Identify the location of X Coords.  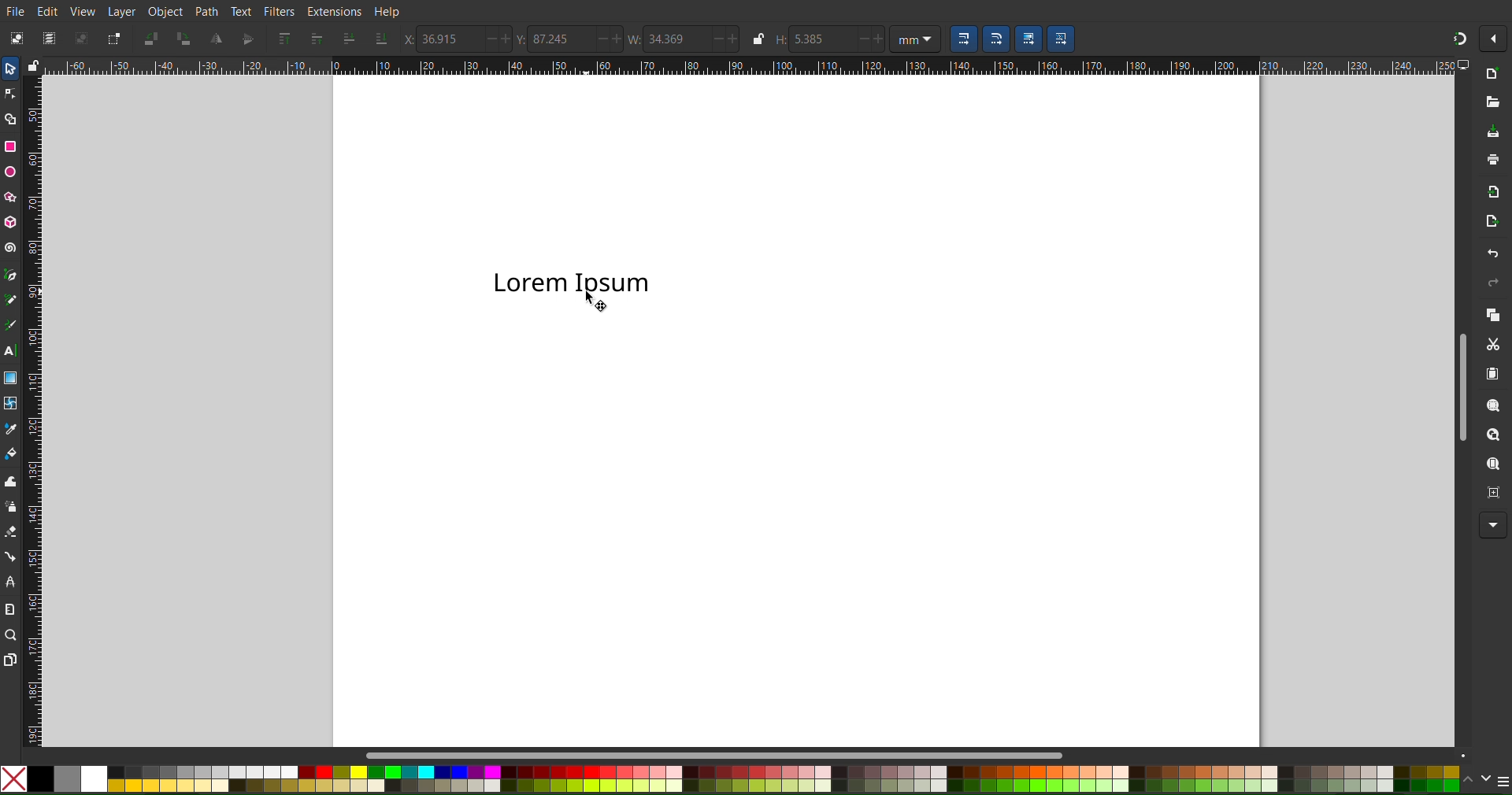
(458, 39).